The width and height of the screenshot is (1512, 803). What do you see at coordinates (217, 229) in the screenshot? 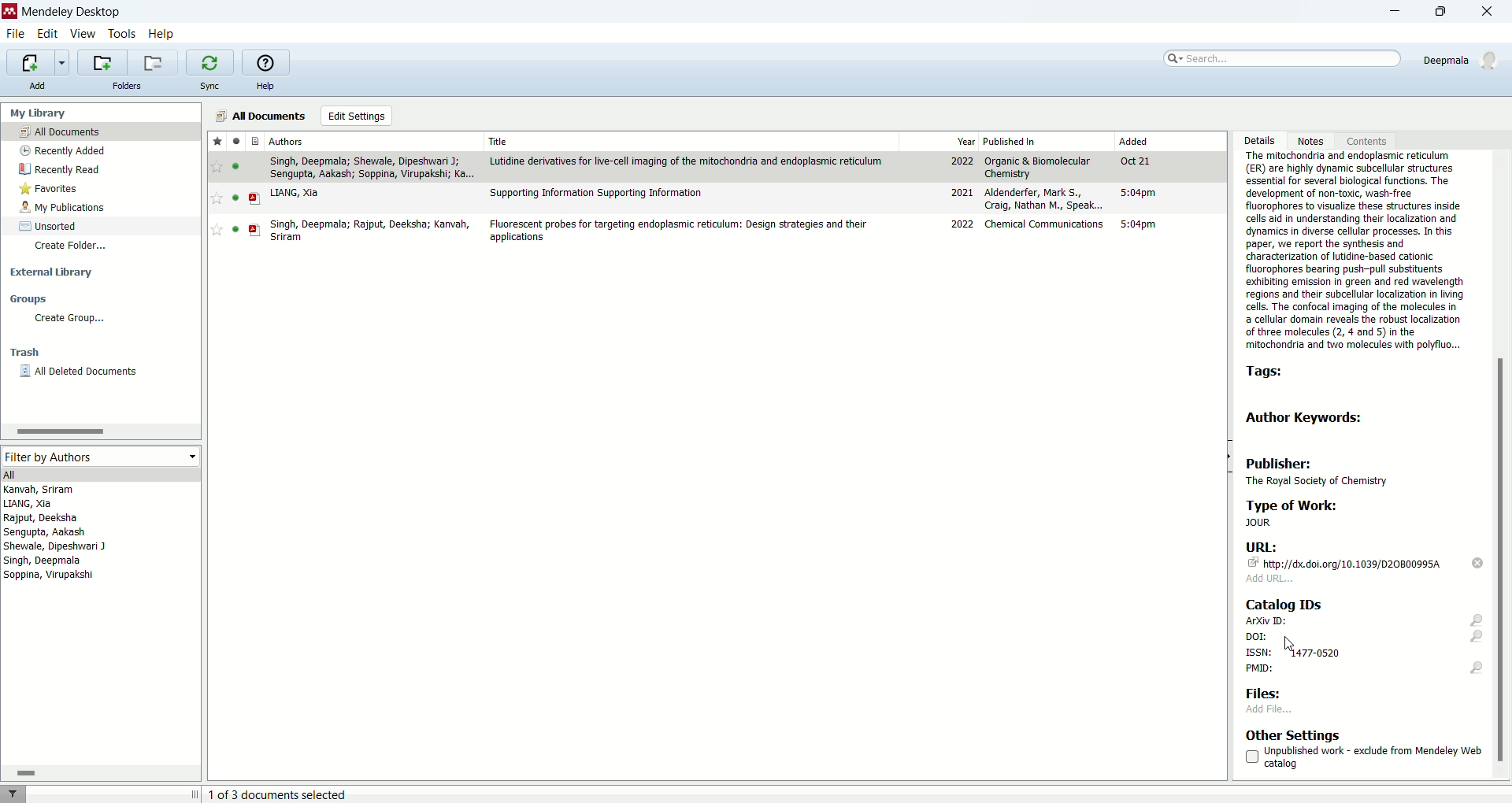
I see `favorite` at bounding box center [217, 229].